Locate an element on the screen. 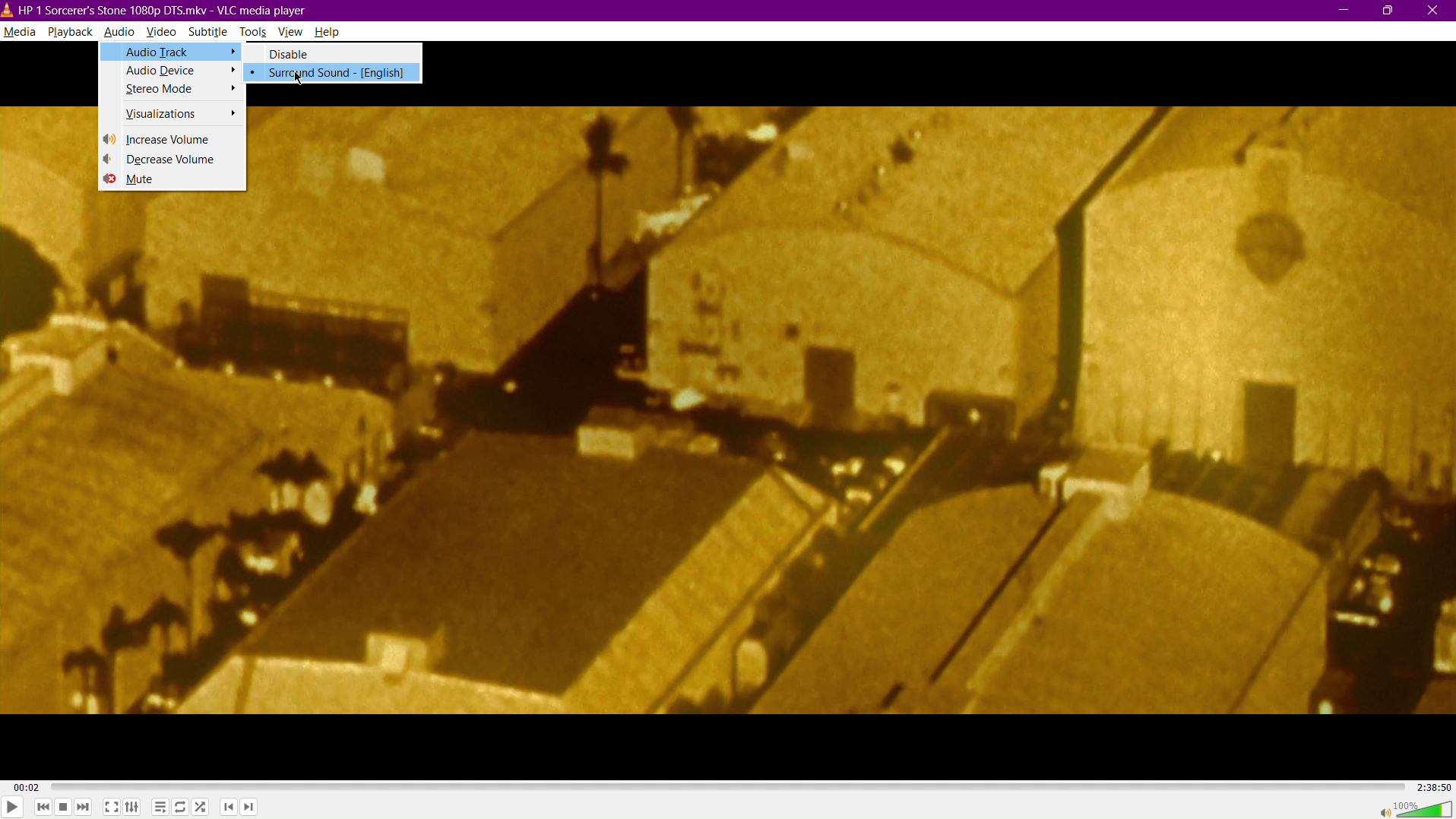 This screenshot has height=819, width=1456. Video is located at coordinates (163, 33).